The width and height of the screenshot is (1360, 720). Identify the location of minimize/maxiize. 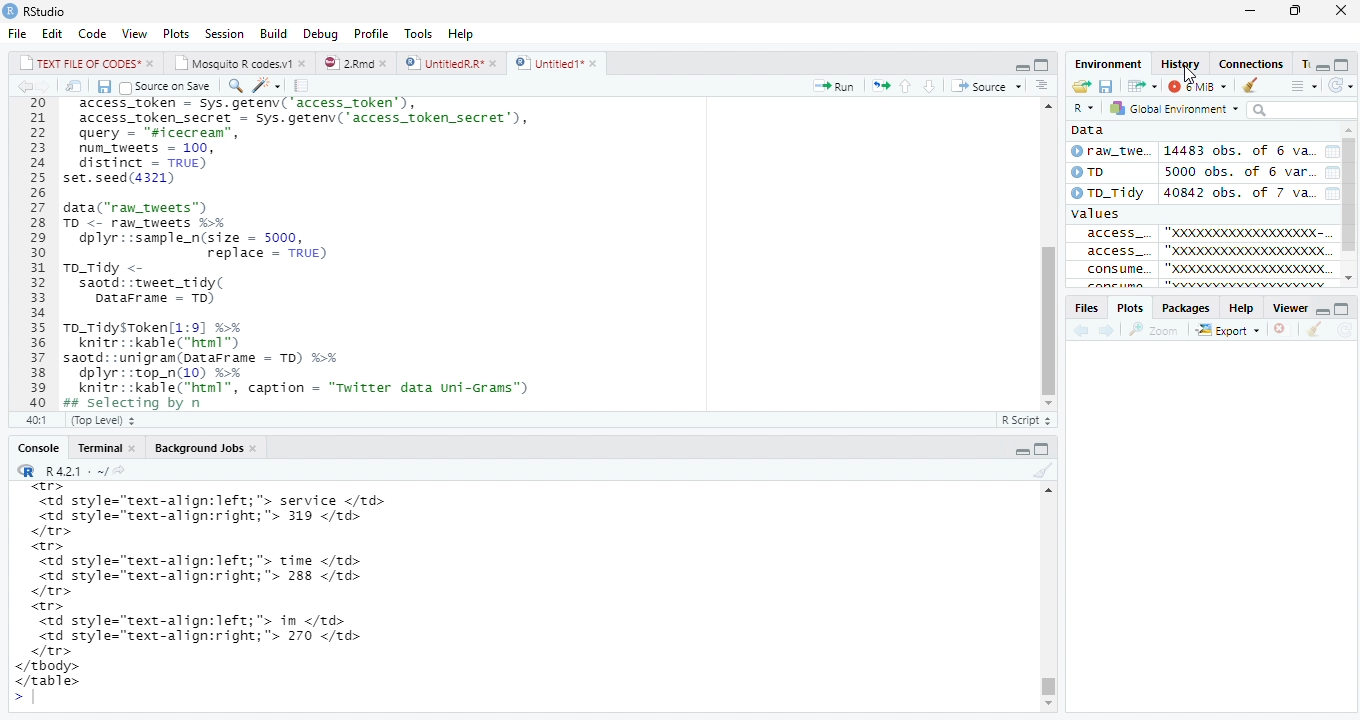
(1034, 447).